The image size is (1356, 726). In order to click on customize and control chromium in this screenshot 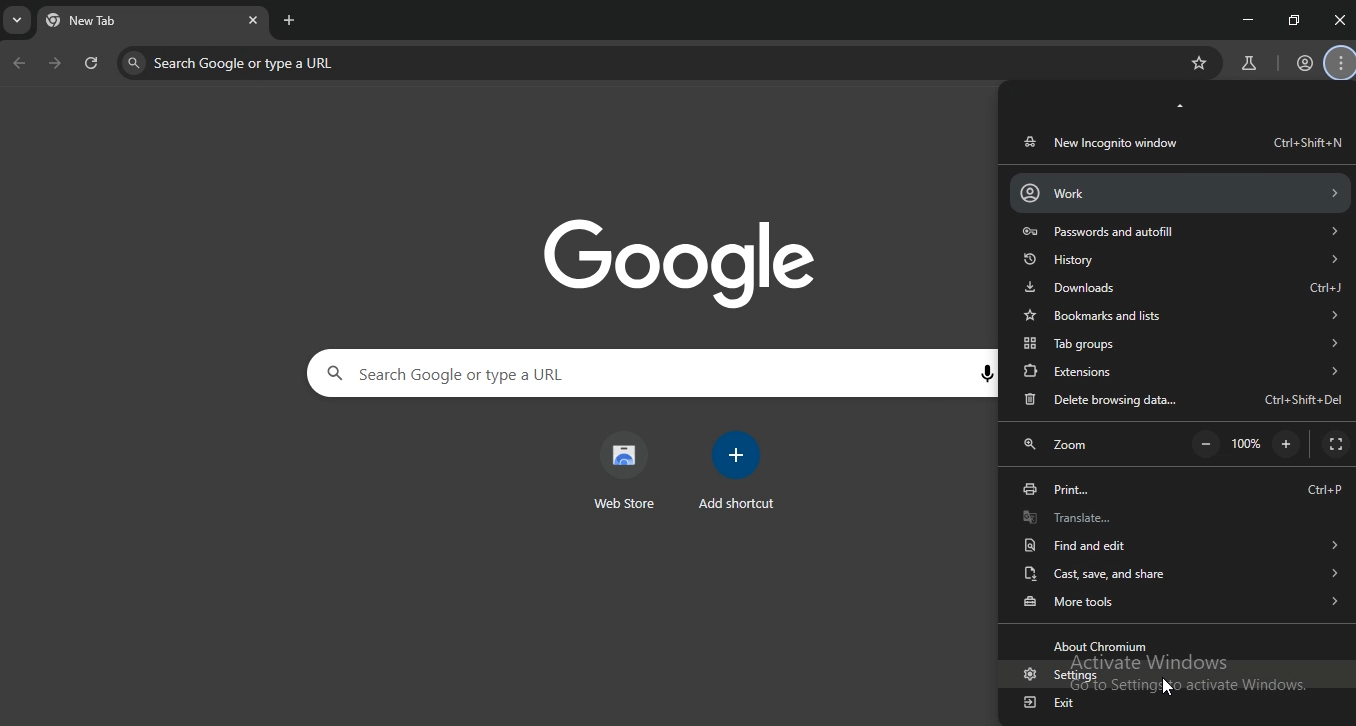, I will do `click(1342, 64)`.